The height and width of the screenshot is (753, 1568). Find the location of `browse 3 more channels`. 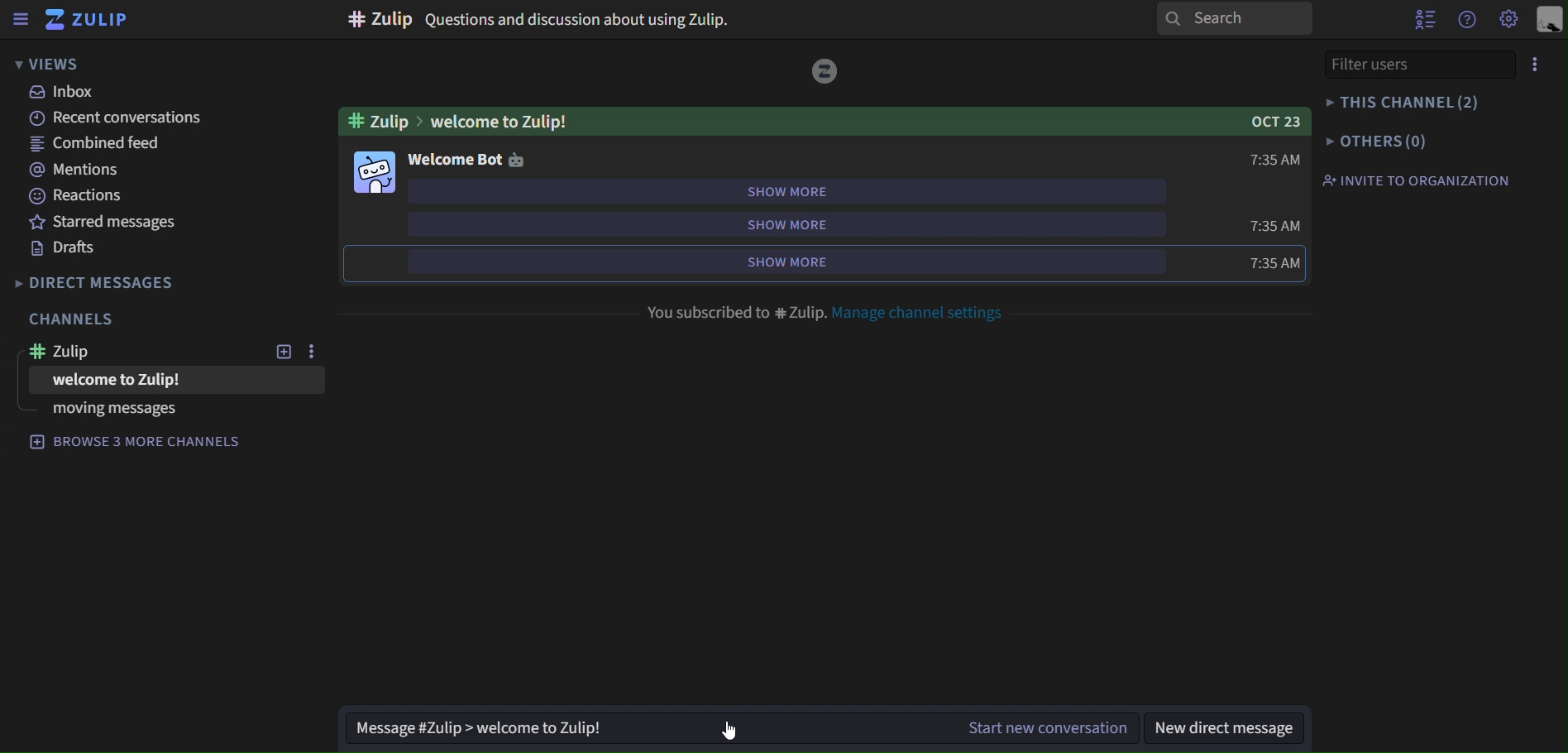

browse 3 more channels is located at coordinates (149, 445).